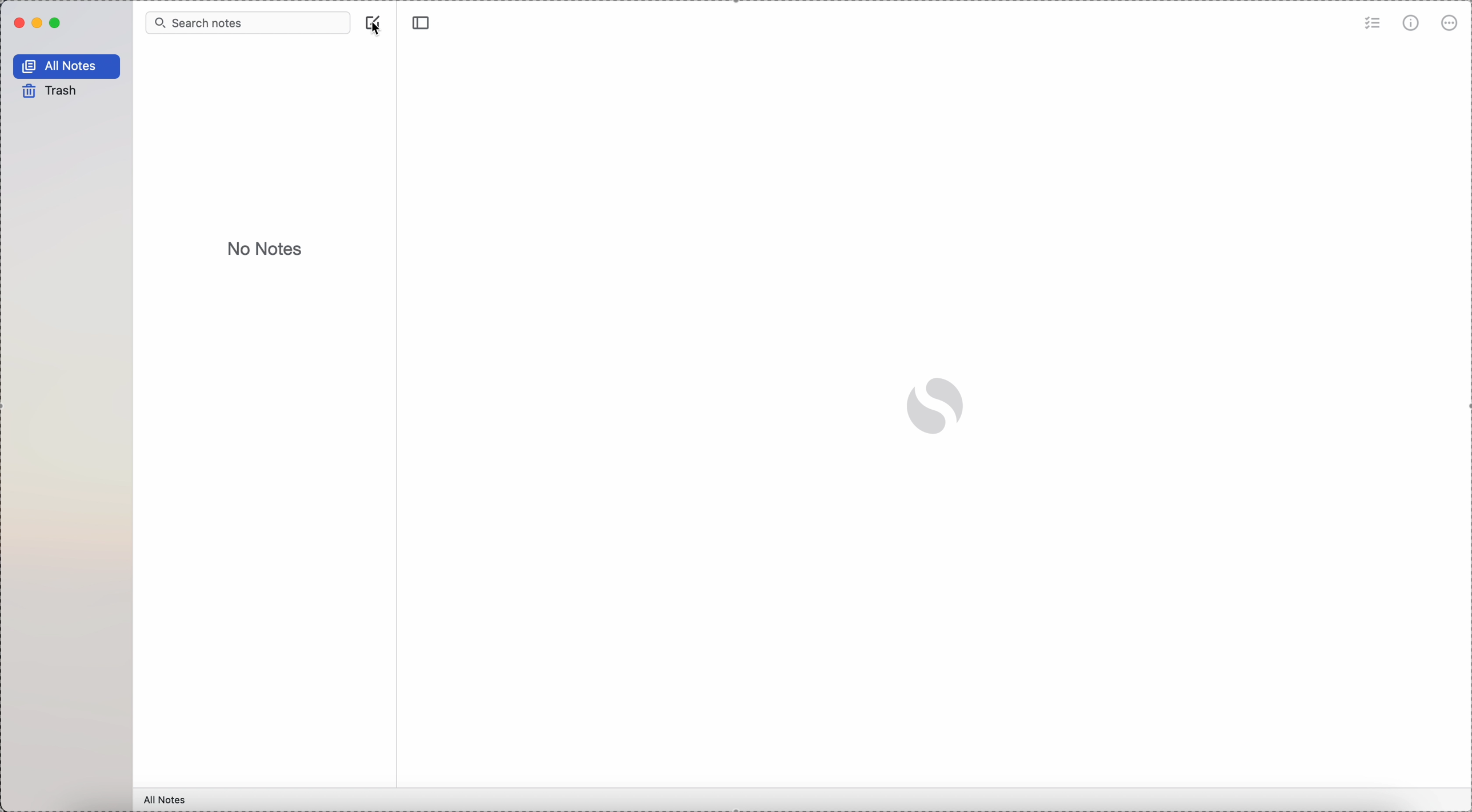  Describe the element at coordinates (51, 91) in the screenshot. I see `trash` at that location.